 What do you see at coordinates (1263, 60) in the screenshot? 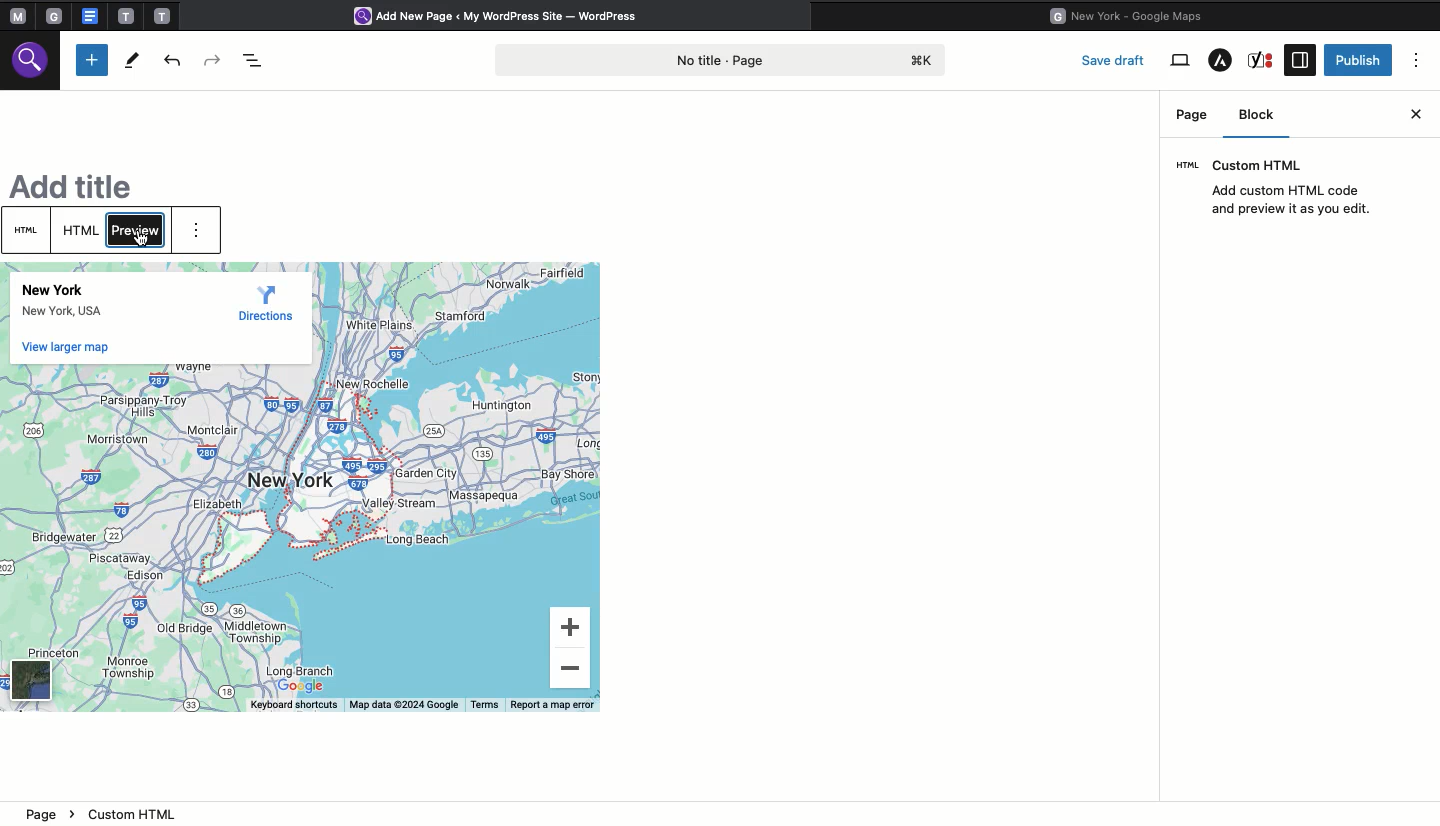
I see `Yoast` at bounding box center [1263, 60].